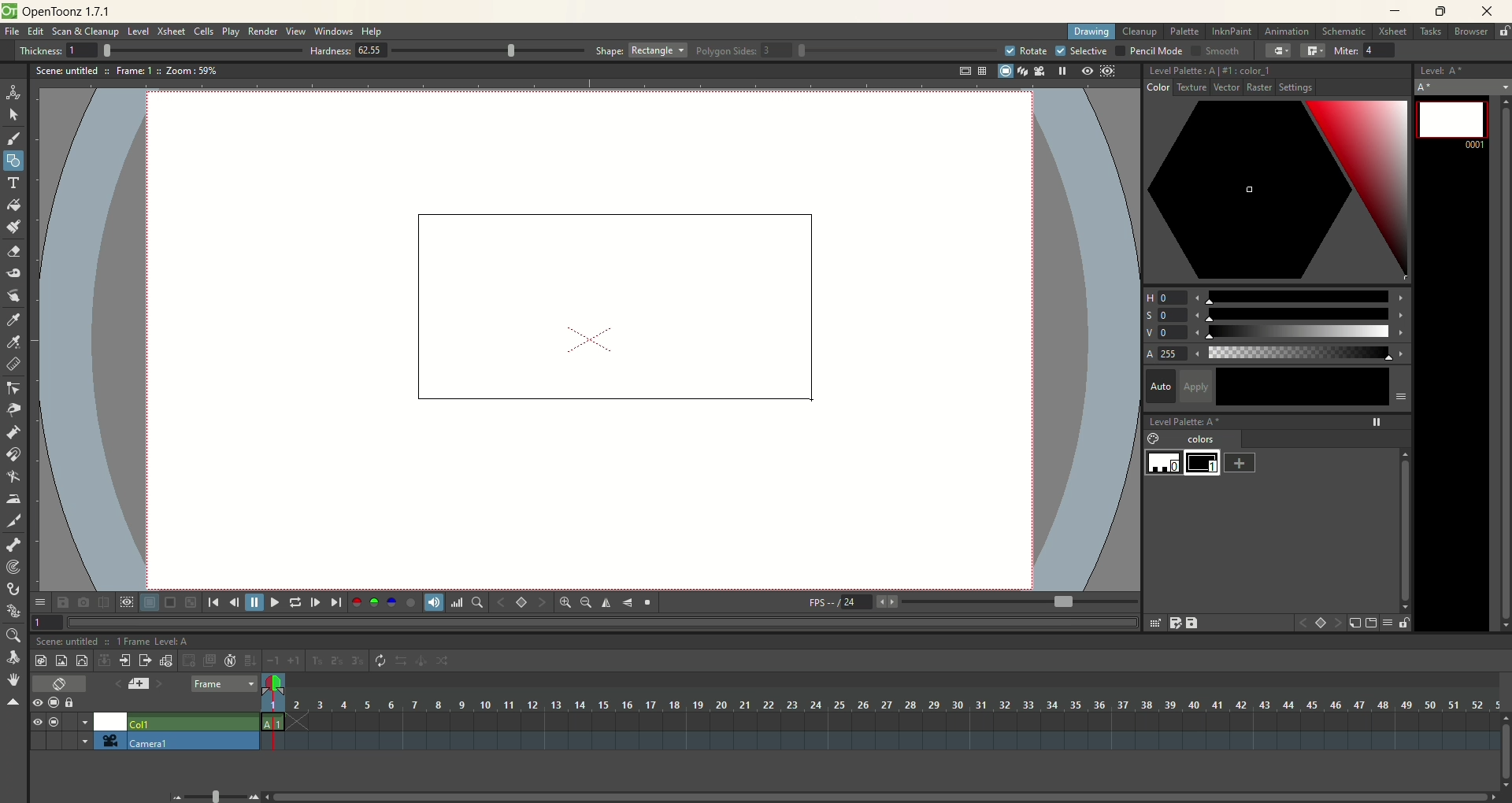 Image resolution: width=1512 pixels, height=803 pixels. I want to click on reframe on 3's, so click(358, 661).